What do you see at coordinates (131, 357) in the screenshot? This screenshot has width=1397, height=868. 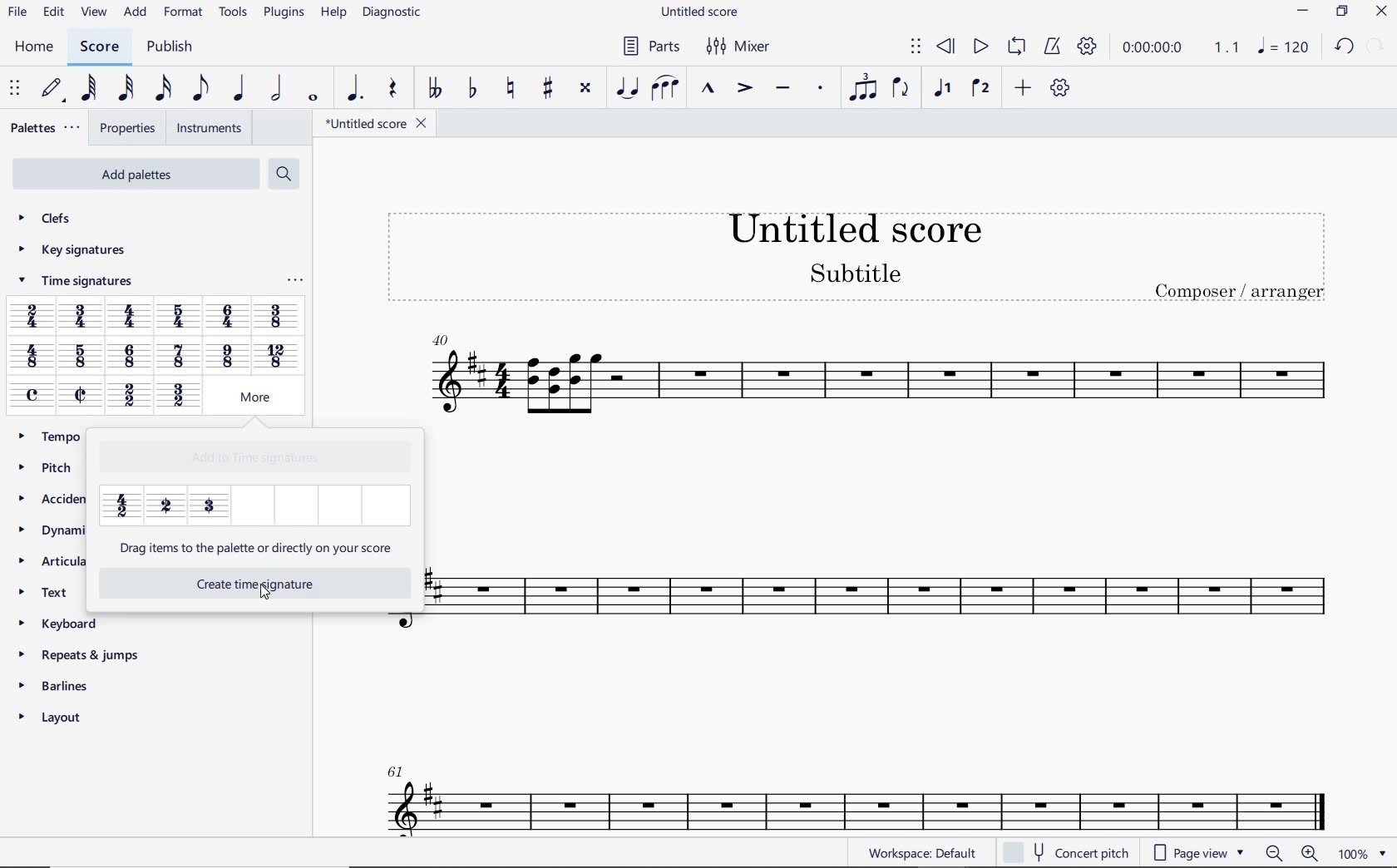 I see `6/8` at bounding box center [131, 357].